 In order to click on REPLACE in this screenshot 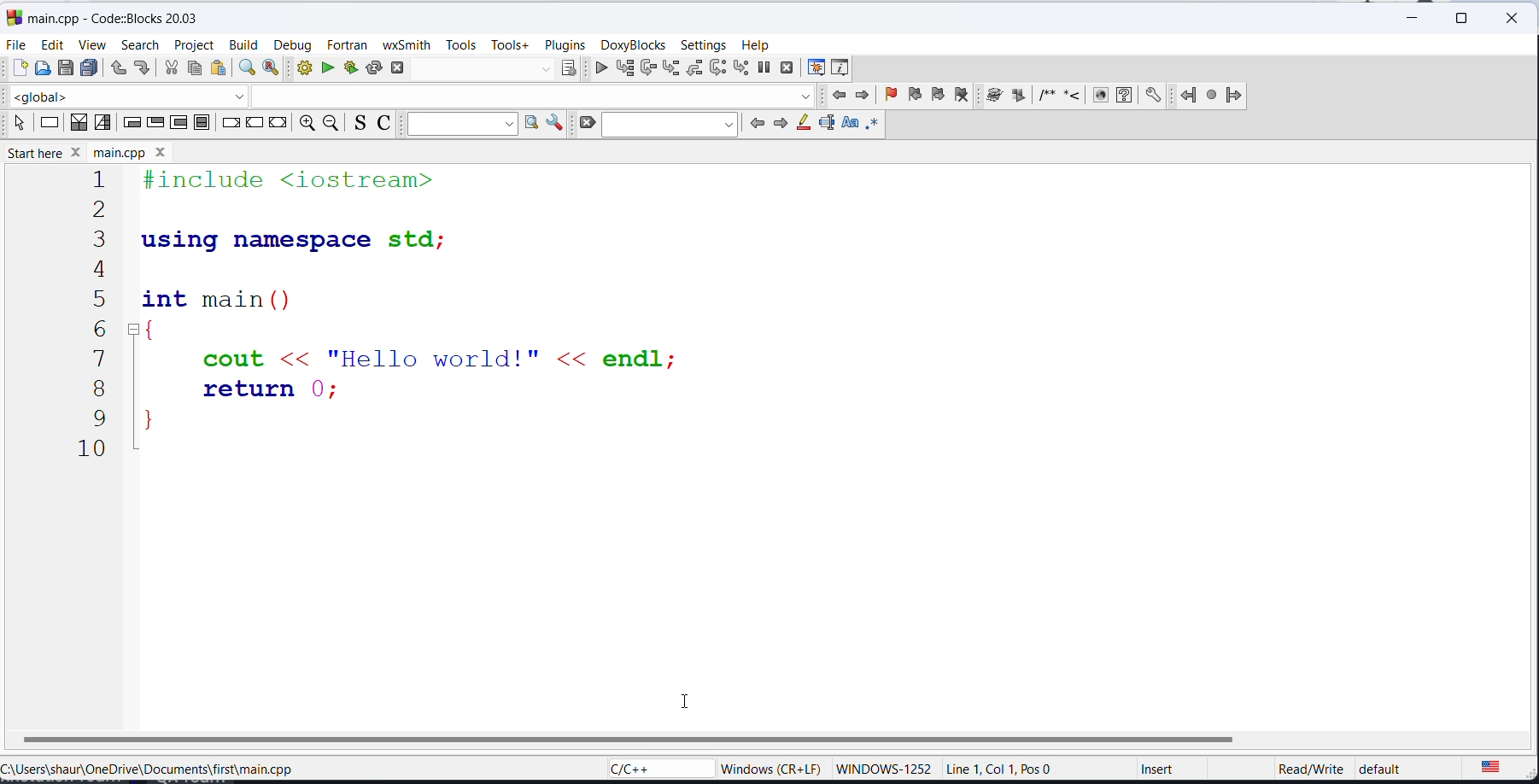, I will do `click(272, 69)`.